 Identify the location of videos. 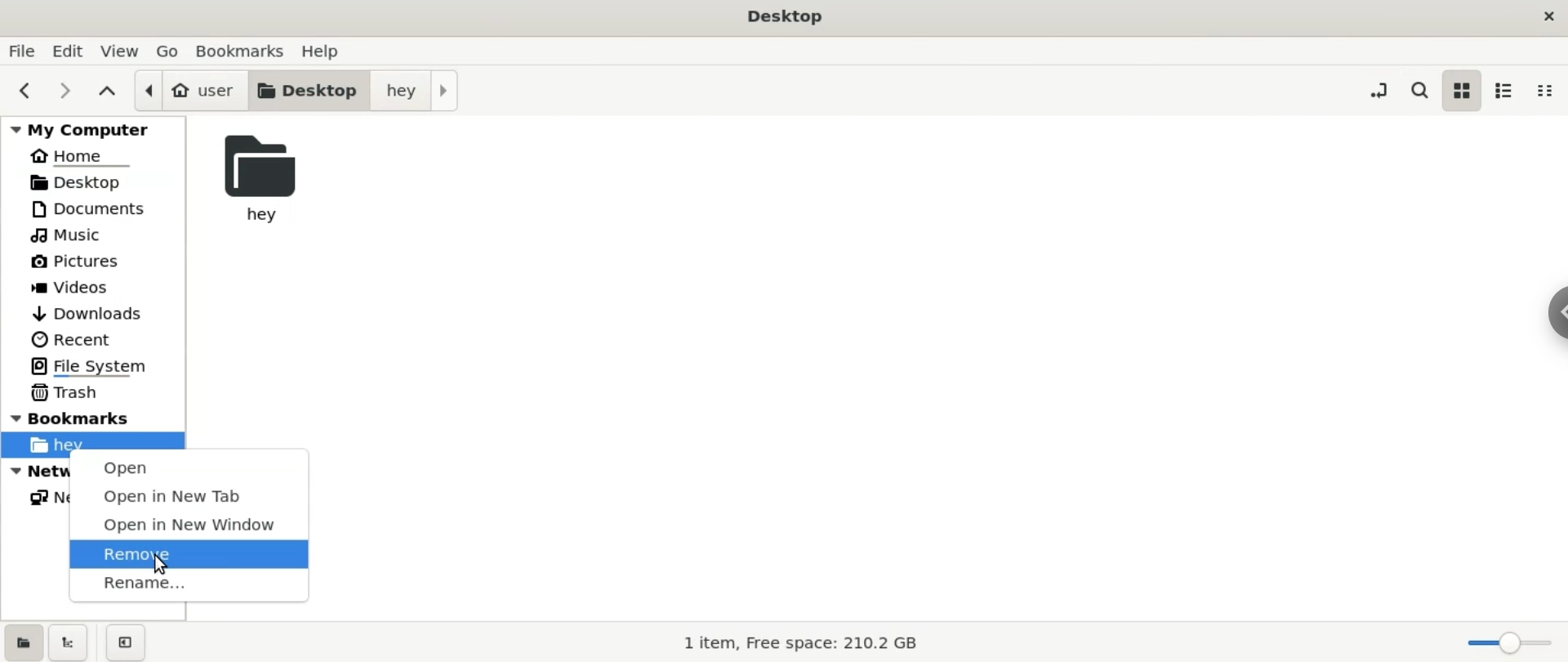
(76, 286).